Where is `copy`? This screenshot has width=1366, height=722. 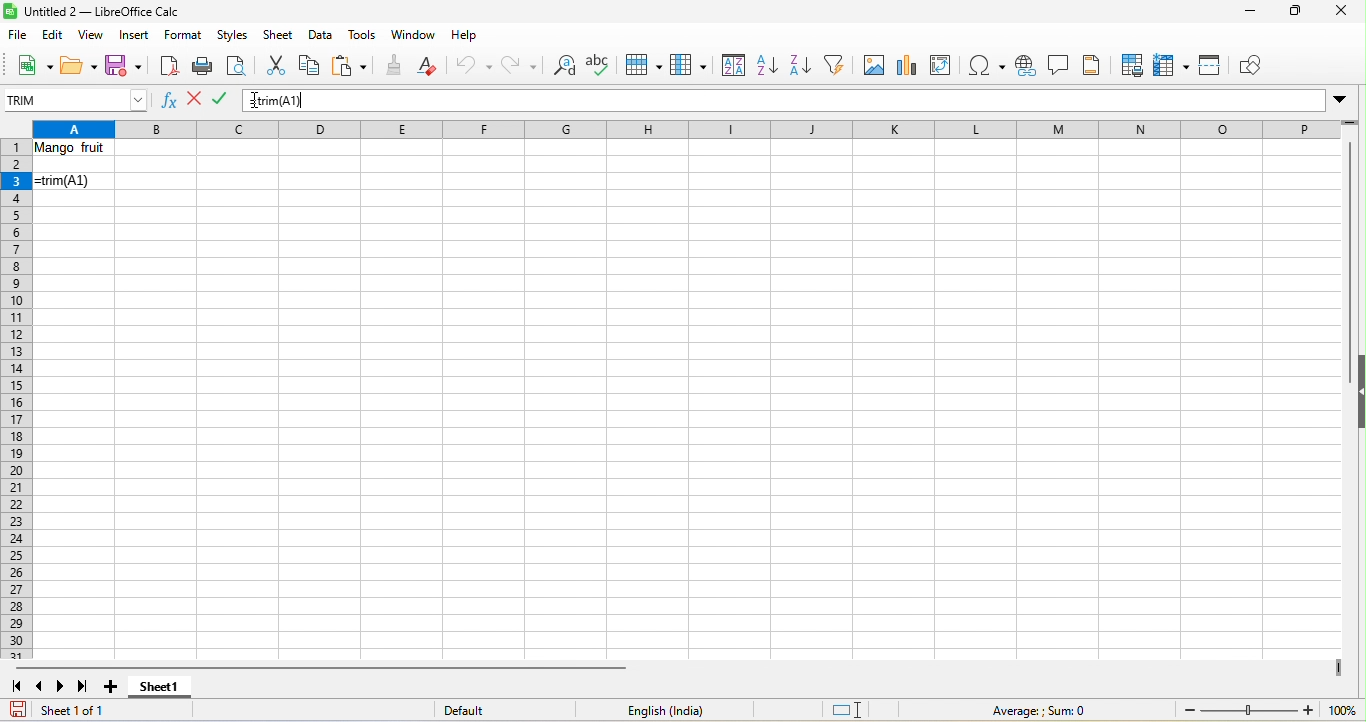 copy is located at coordinates (310, 67).